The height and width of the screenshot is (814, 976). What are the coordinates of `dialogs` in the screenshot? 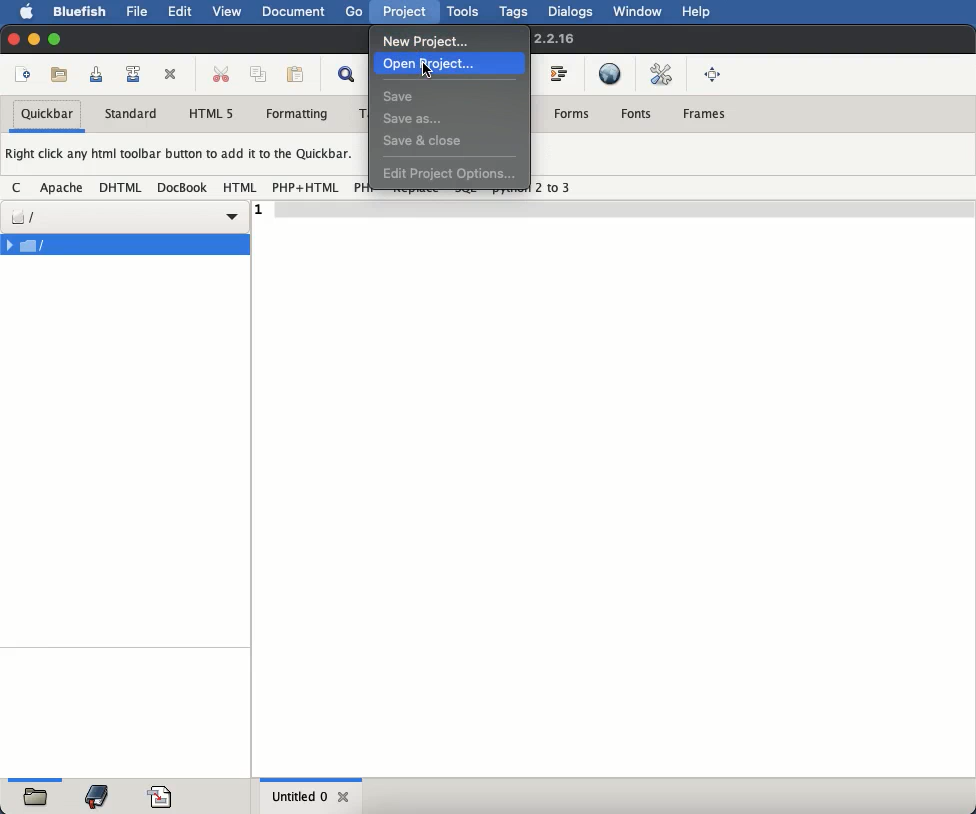 It's located at (571, 11).